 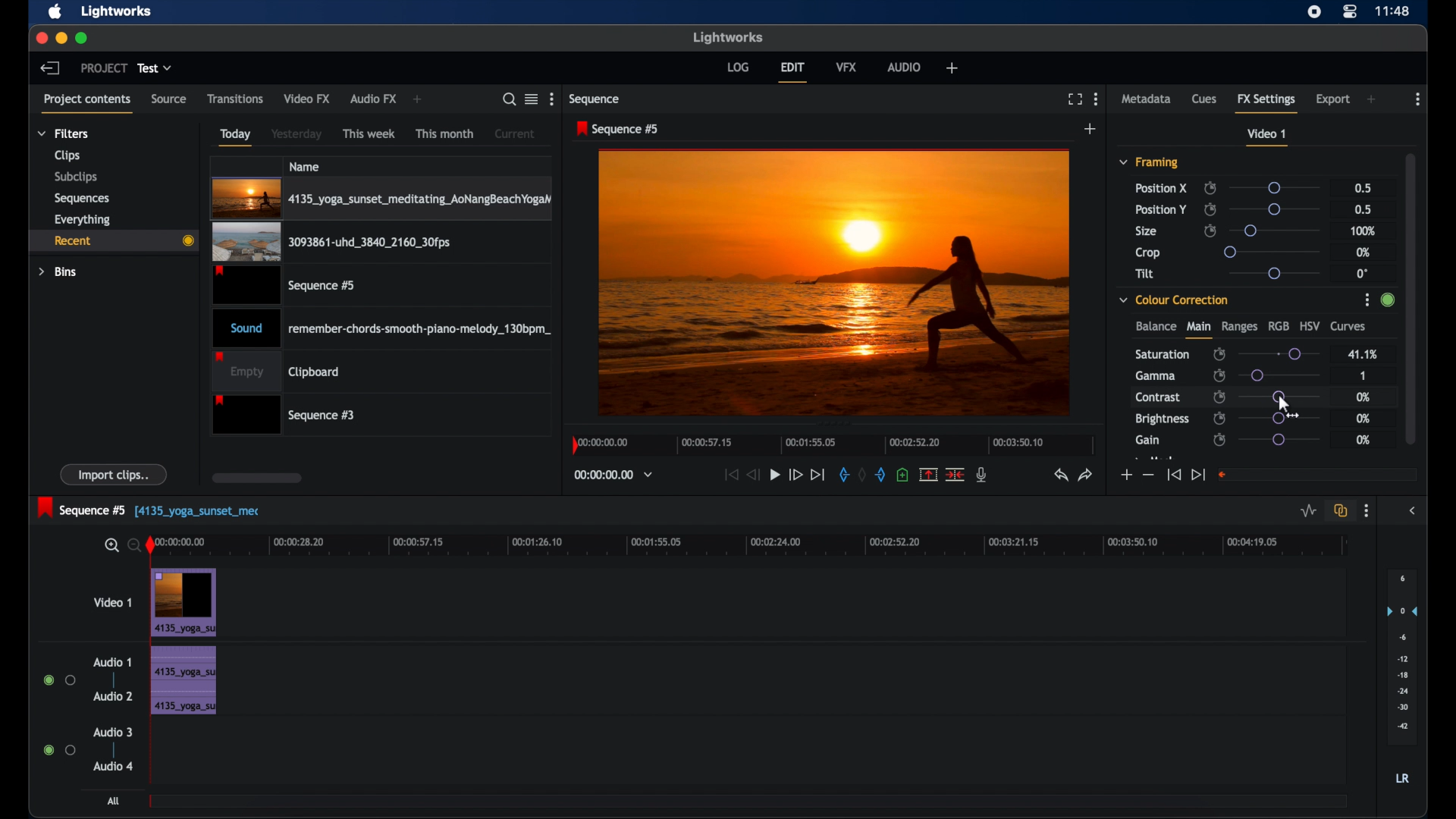 I want to click on audio , so click(x=182, y=680).